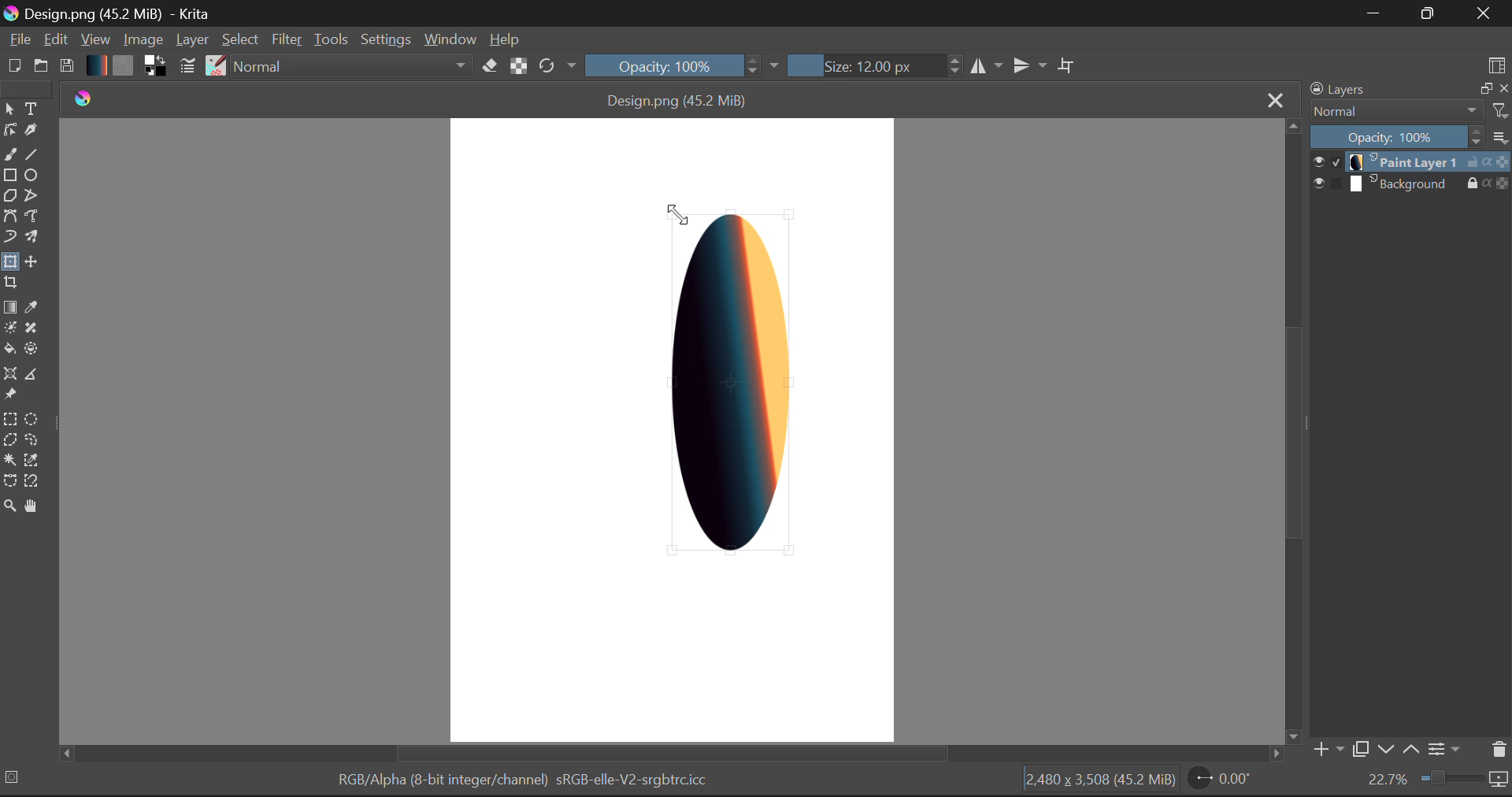 This screenshot has height=797, width=1512. What do you see at coordinates (30, 261) in the screenshot?
I see `Move Layer` at bounding box center [30, 261].